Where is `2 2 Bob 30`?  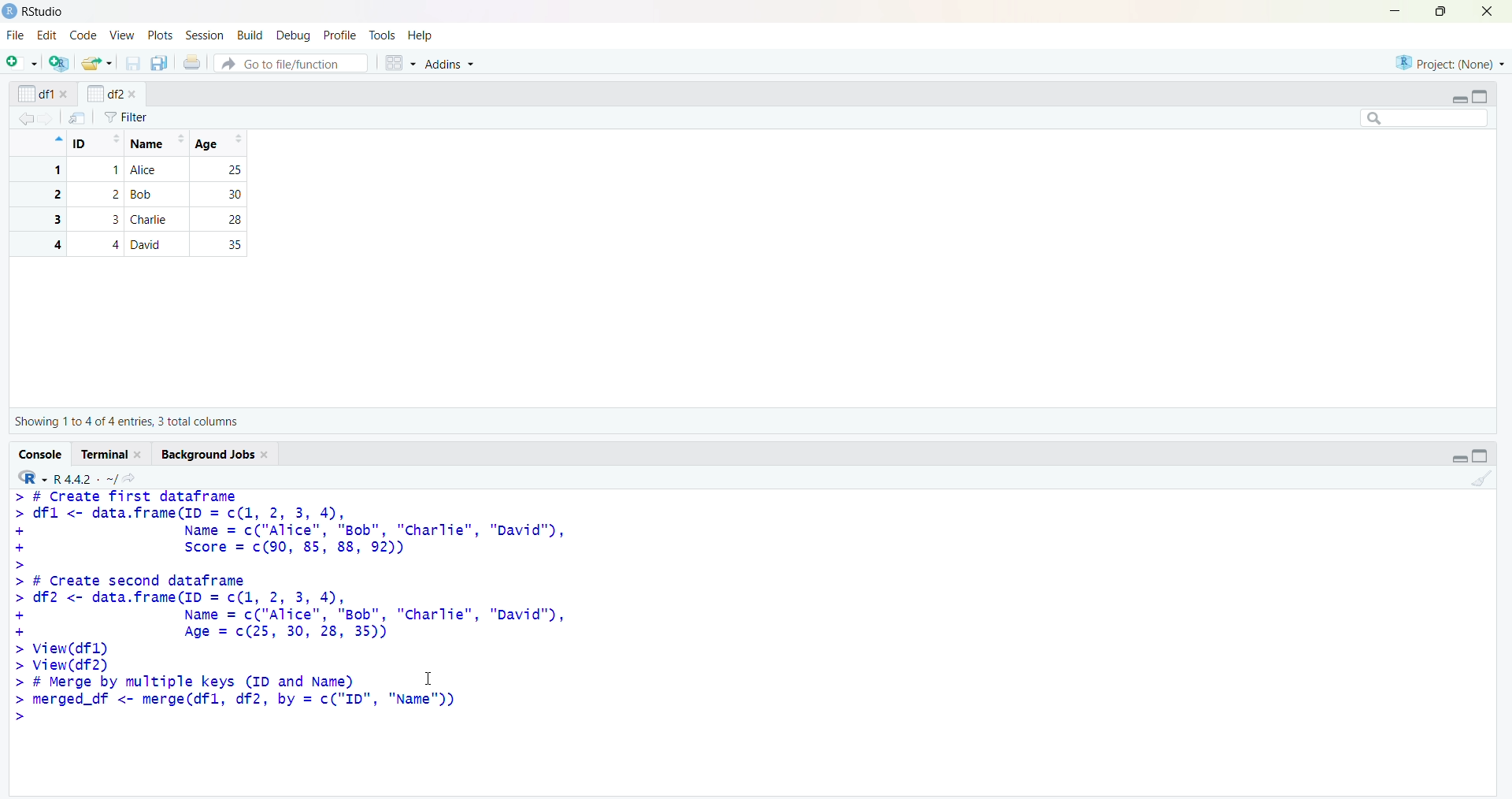
2 2 Bob 30 is located at coordinates (135, 195).